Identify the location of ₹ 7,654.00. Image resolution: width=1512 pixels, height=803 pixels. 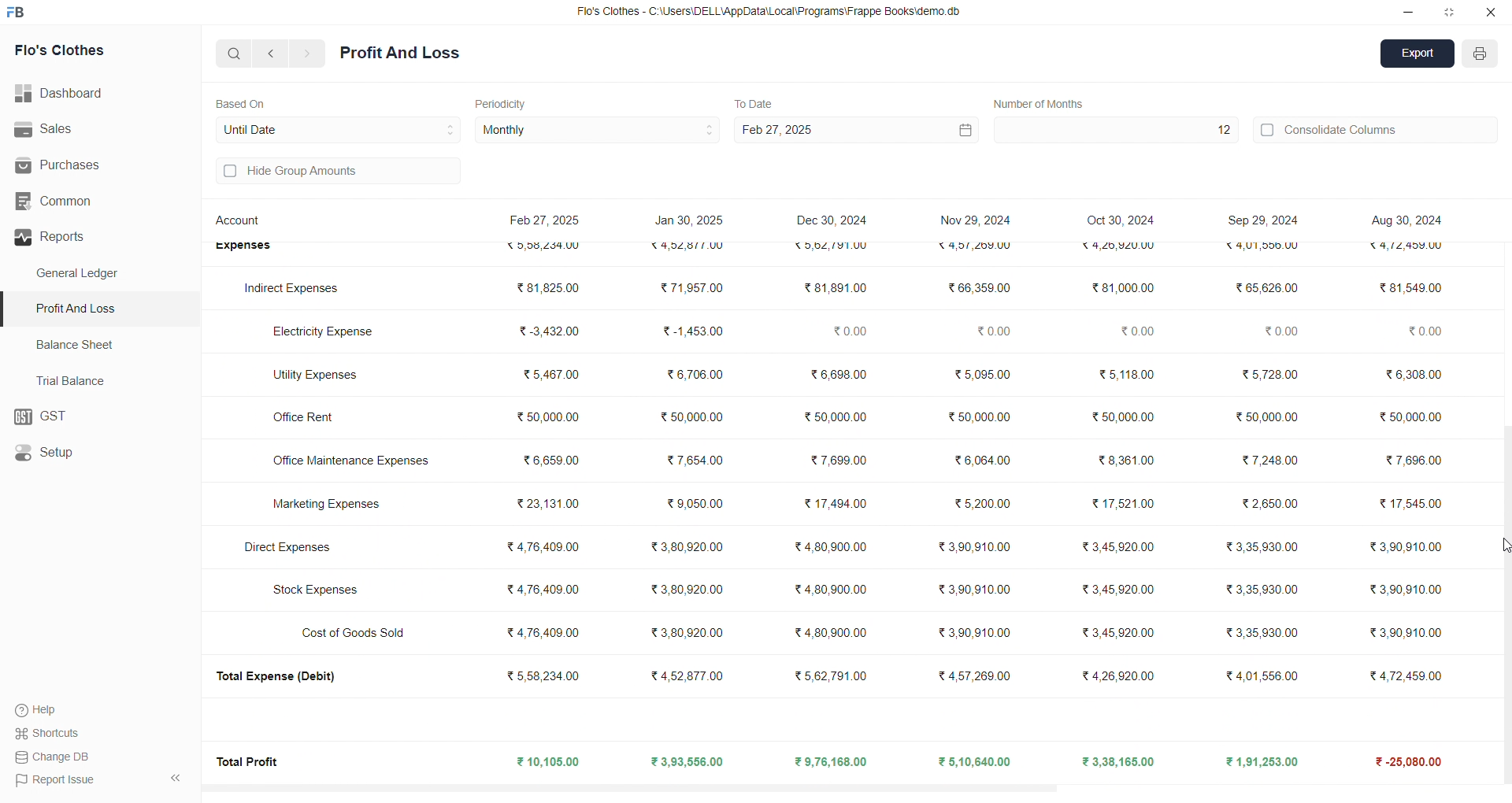
(694, 462).